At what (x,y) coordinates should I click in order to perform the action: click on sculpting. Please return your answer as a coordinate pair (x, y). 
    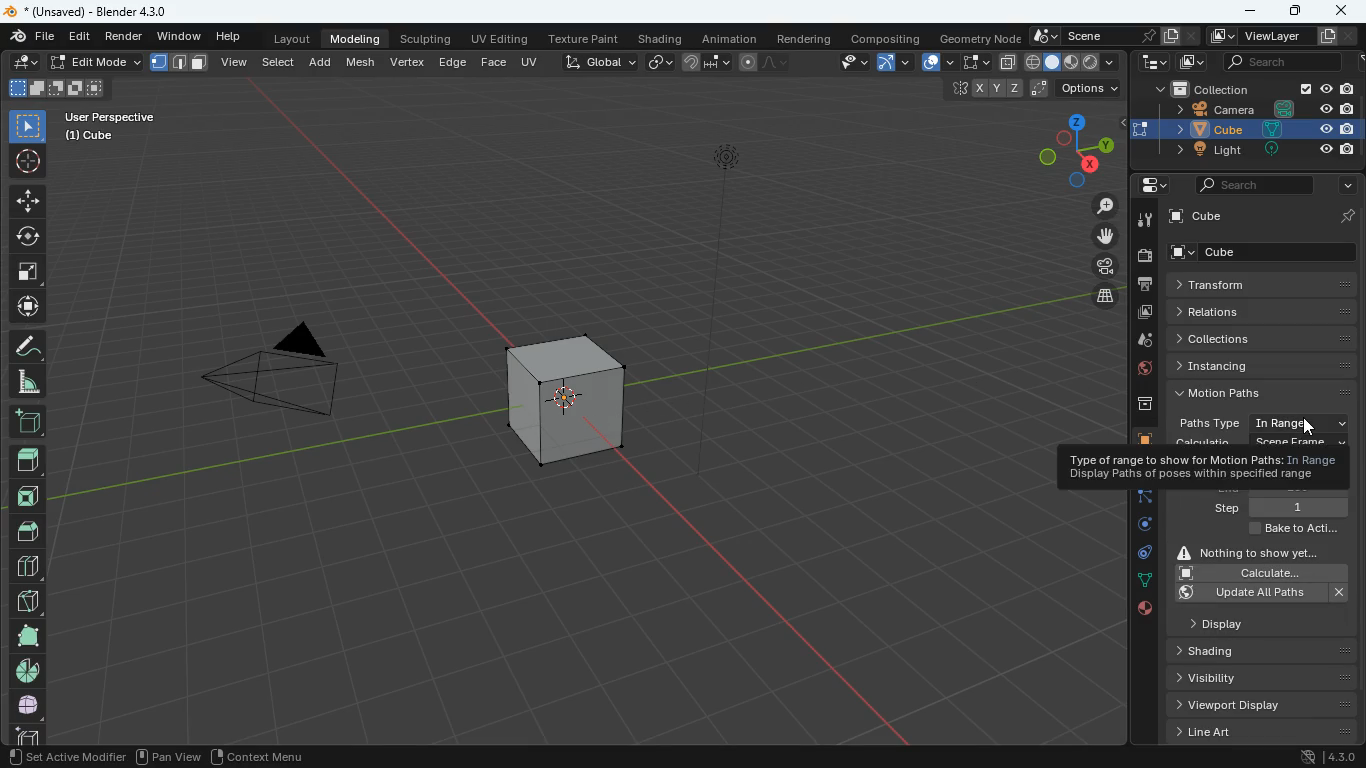
    Looking at the image, I should click on (424, 37).